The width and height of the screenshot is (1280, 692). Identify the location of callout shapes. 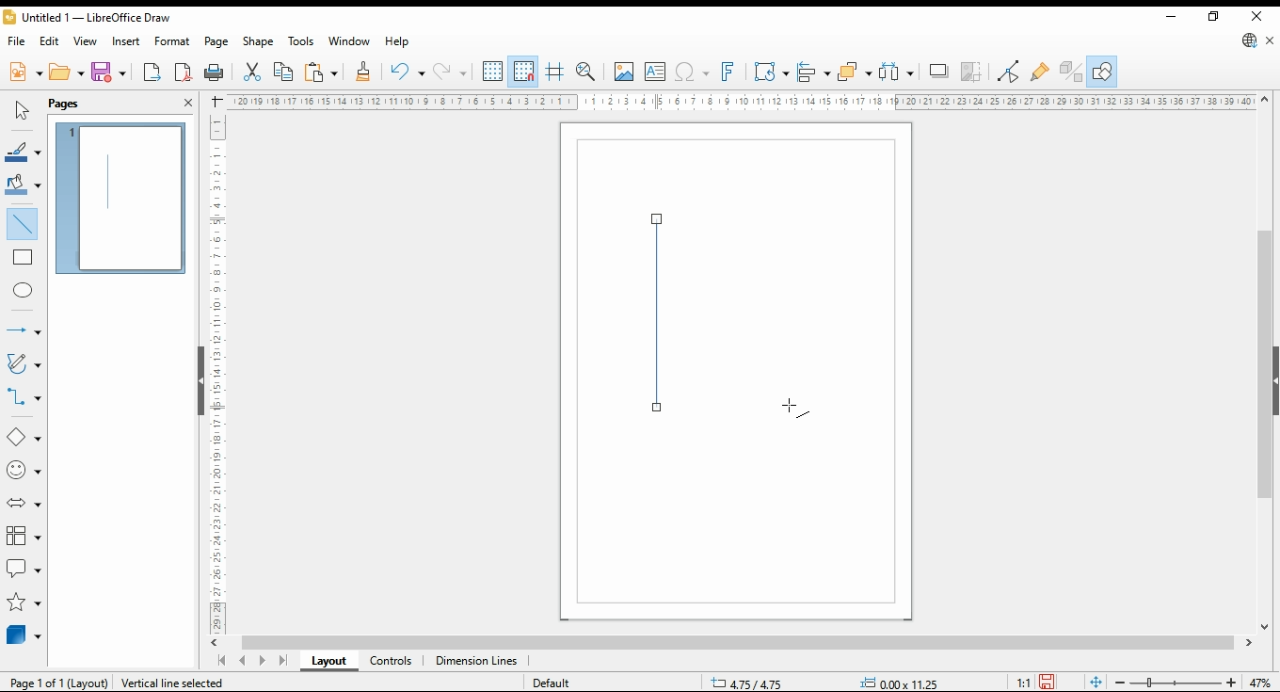
(24, 568).